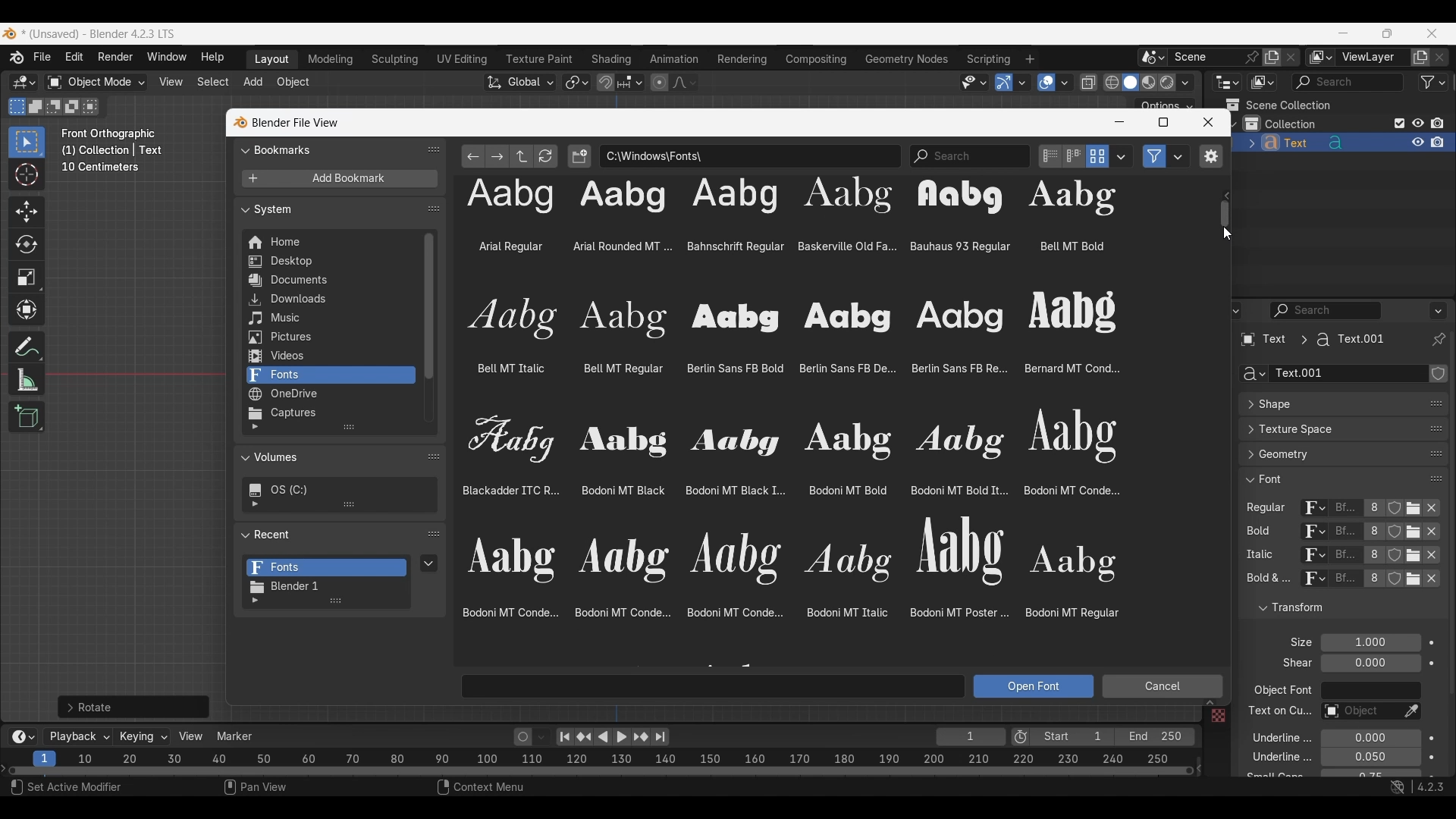 This screenshot has height=819, width=1456. I want to click on Render menu, so click(115, 58).